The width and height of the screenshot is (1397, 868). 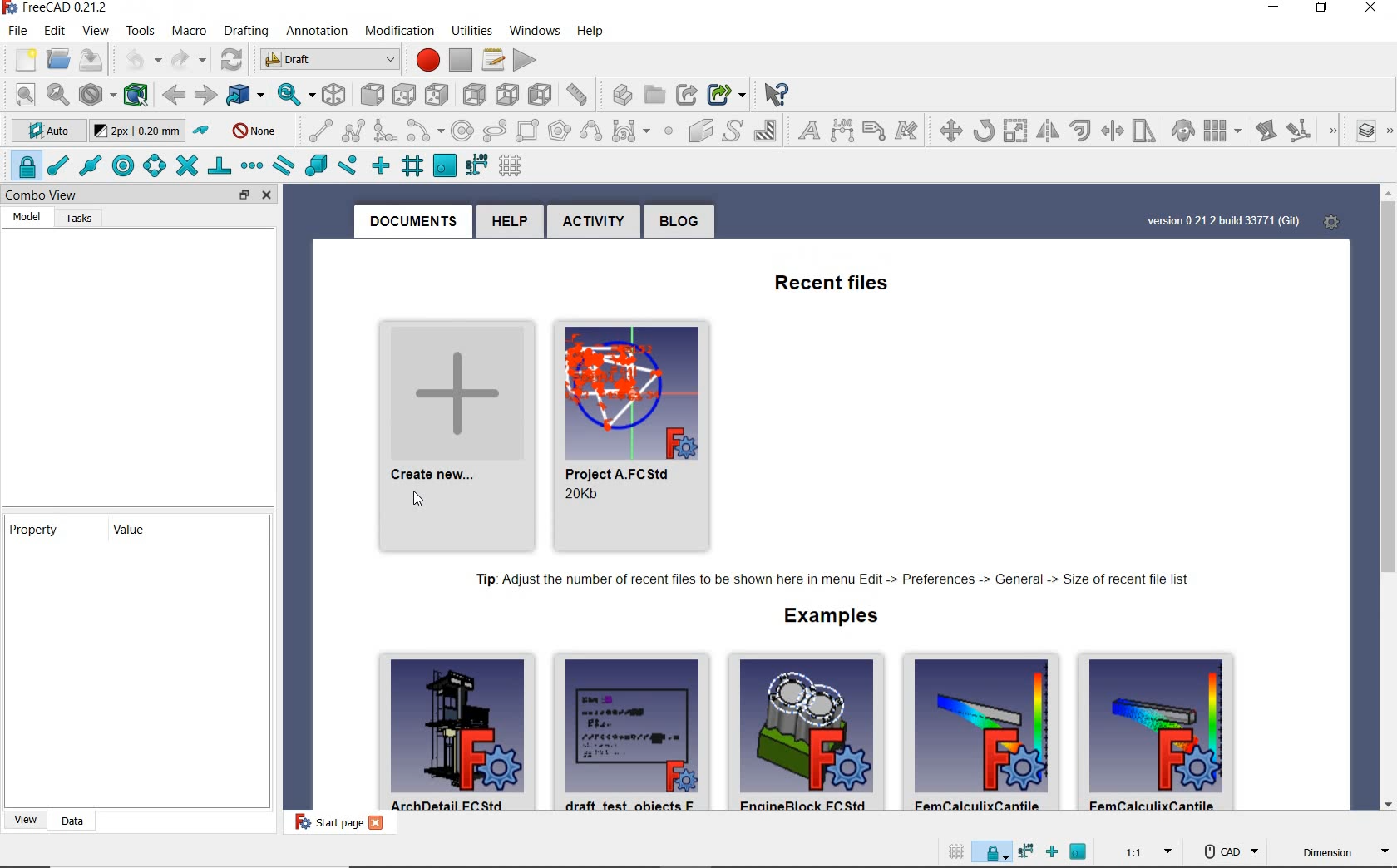 What do you see at coordinates (445, 165) in the screenshot?
I see `snap working plane` at bounding box center [445, 165].